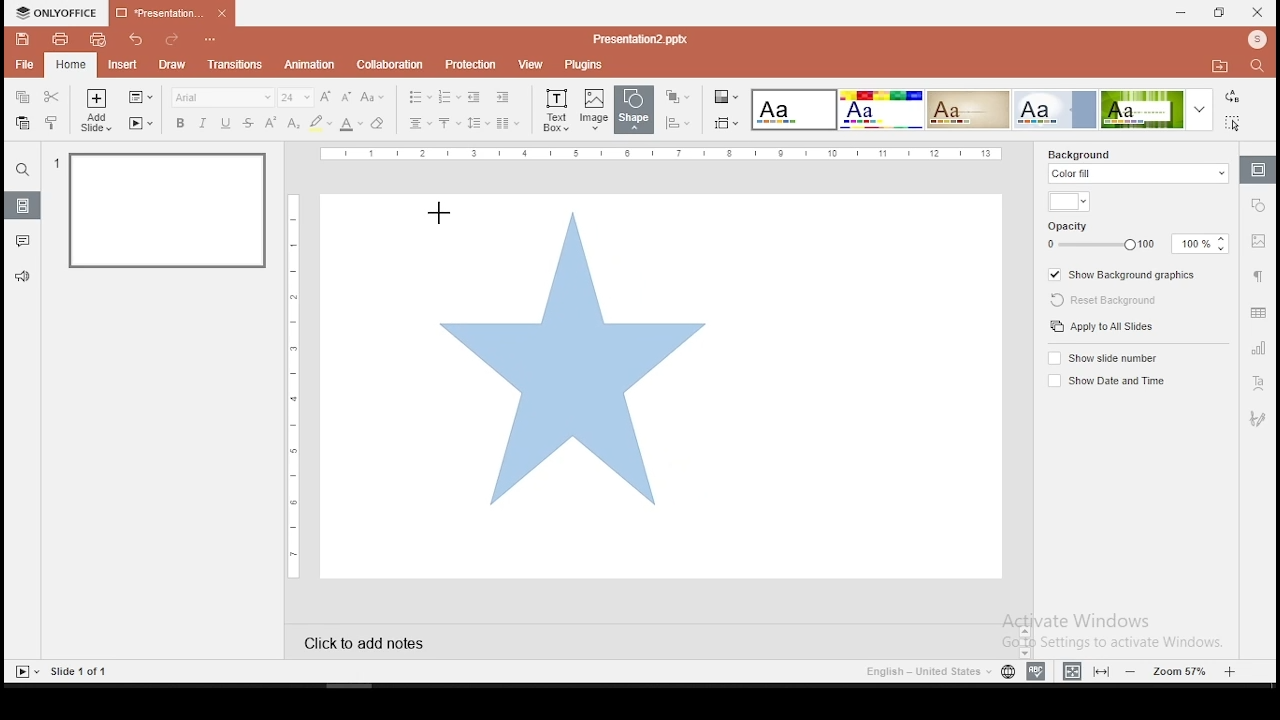  I want to click on slide 1 of 1, so click(81, 671).